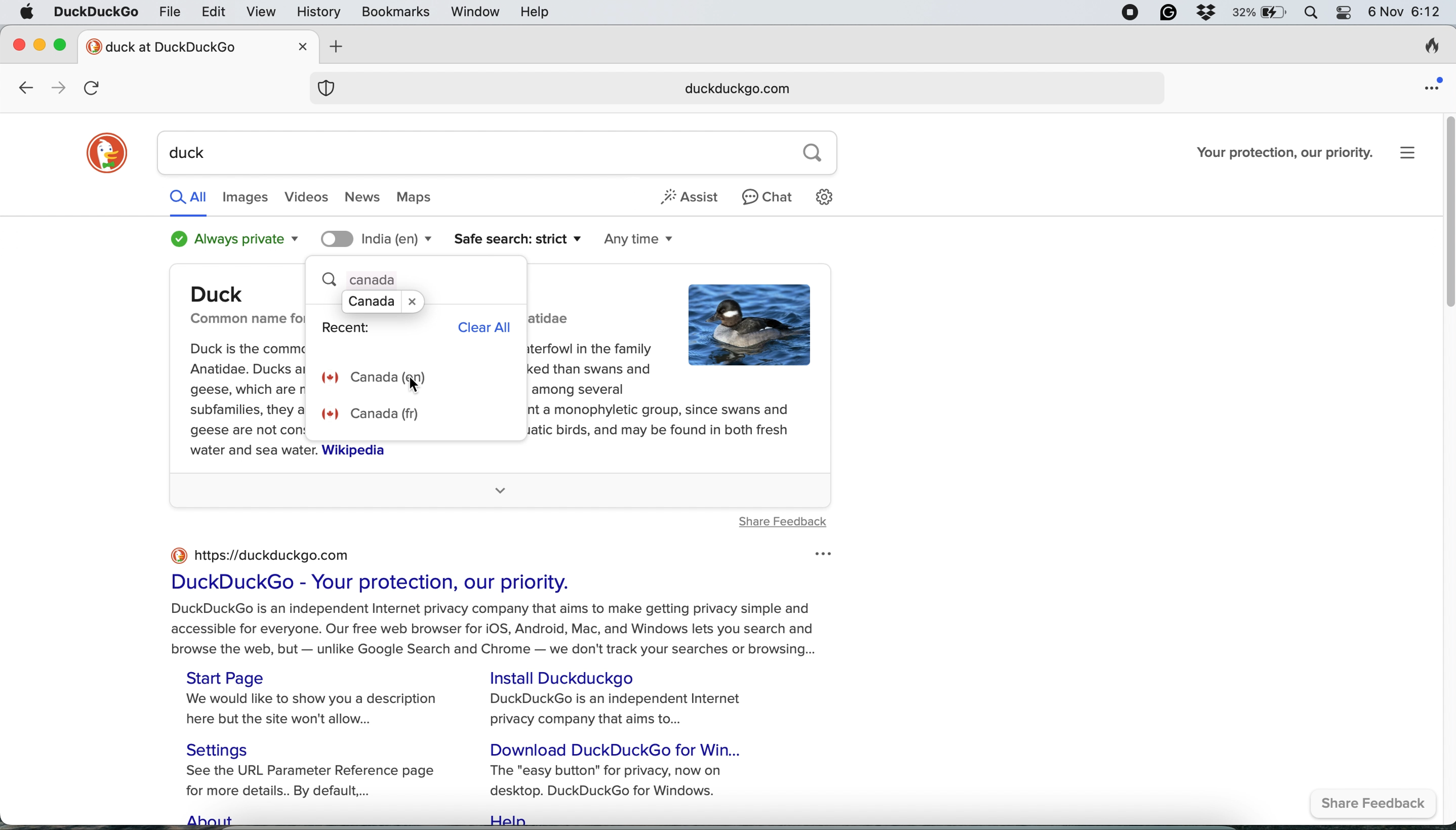 This screenshot has width=1456, height=830. Describe the element at coordinates (1444, 214) in the screenshot. I see `vertical scroll bar` at that location.